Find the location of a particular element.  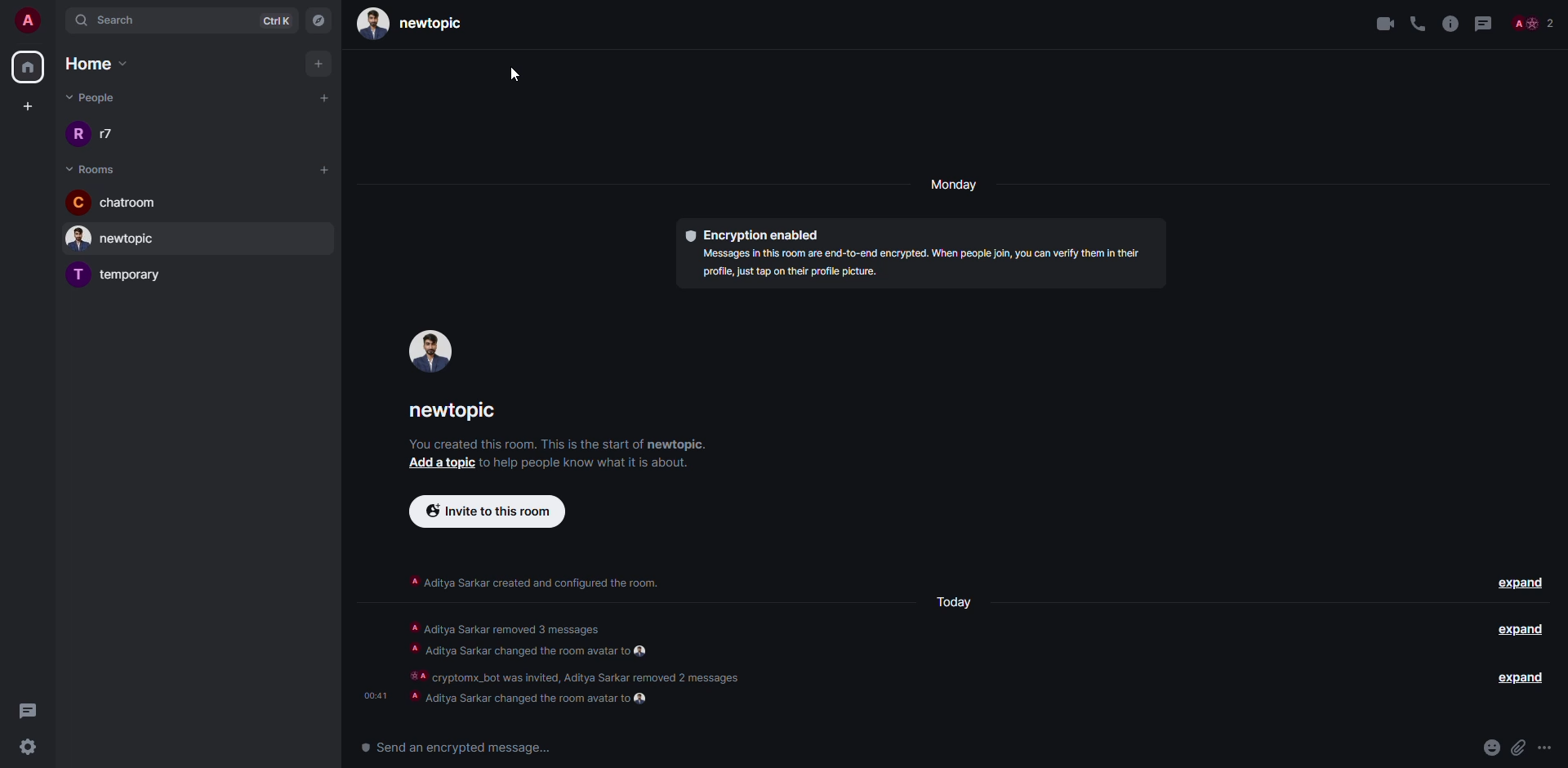

temporary is located at coordinates (122, 275).